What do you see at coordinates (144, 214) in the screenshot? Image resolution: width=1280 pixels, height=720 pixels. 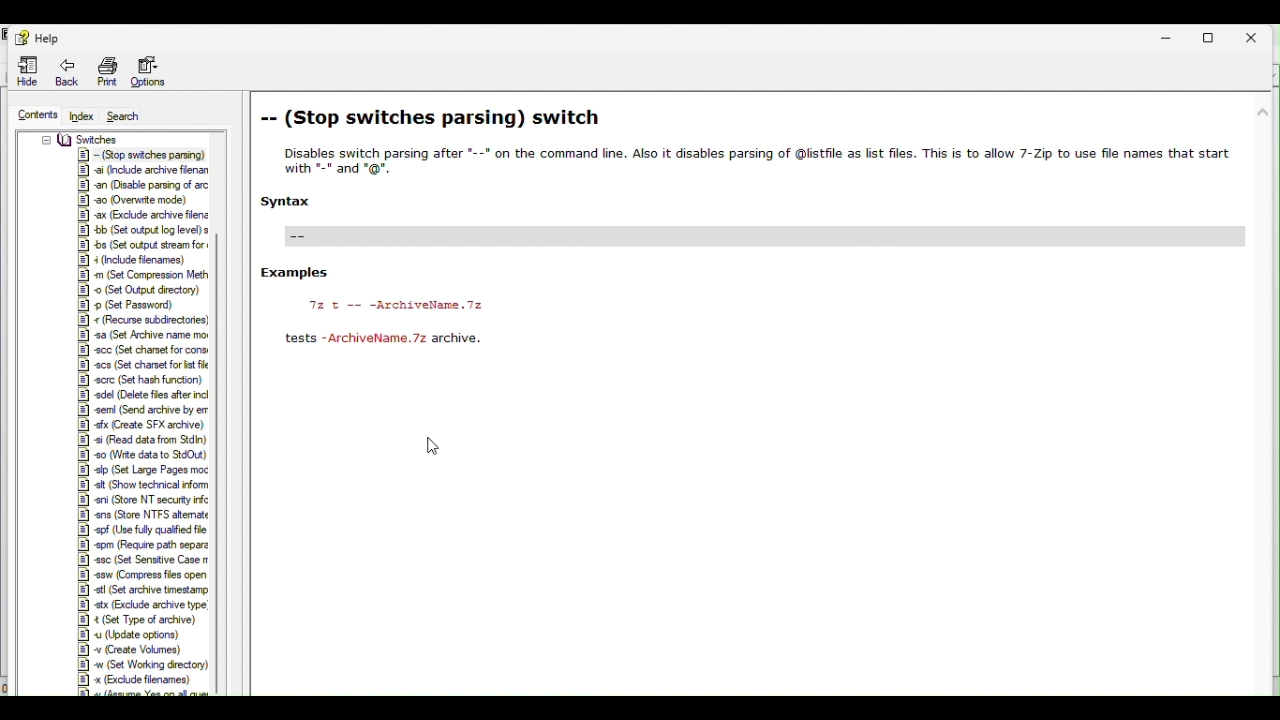 I see `` at bounding box center [144, 214].